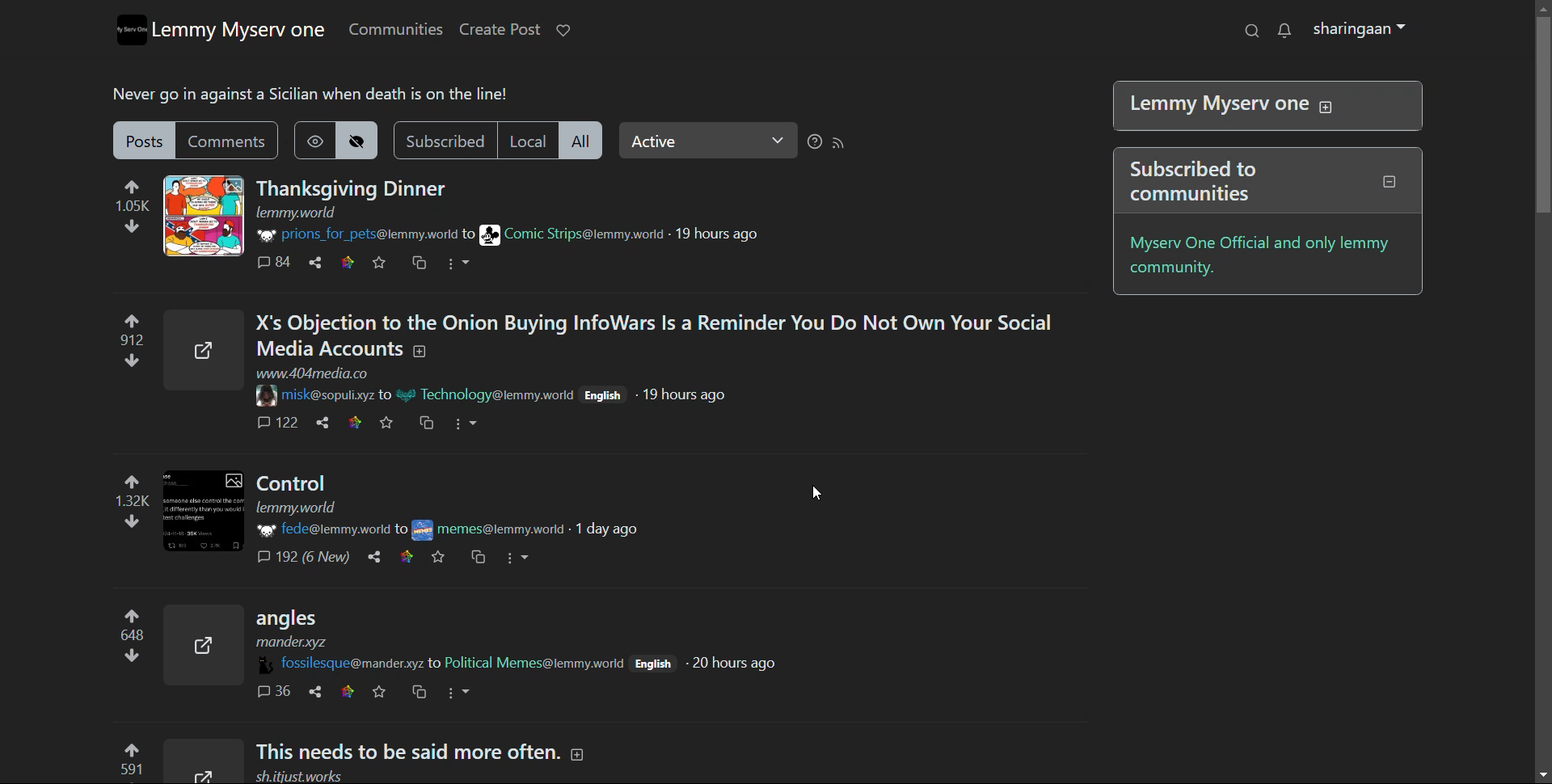 Image resolution: width=1552 pixels, height=784 pixels. I want to click on search, so click(1250, 31).